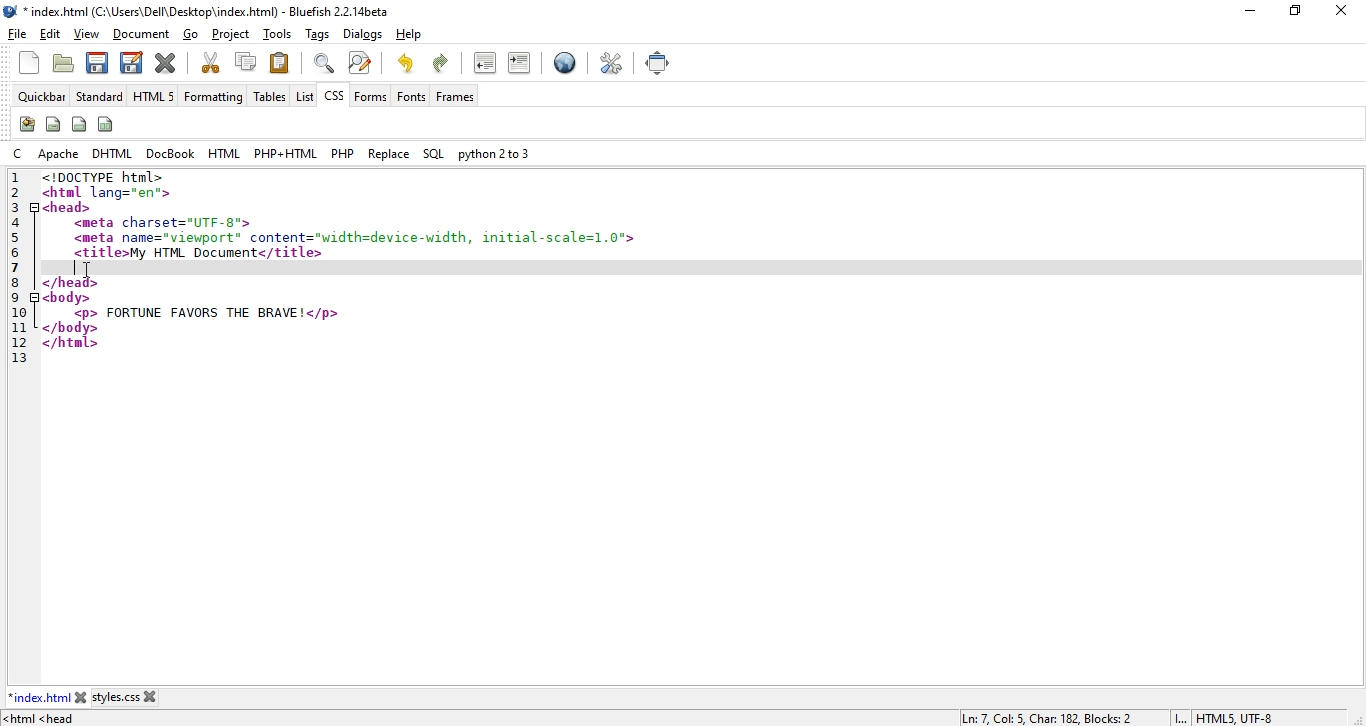 The height and width of the screenshot is (726, 1366). What do you see at coordinates (107, 124) in the screenshot?
I see `columns` at bounding box center [107, 124].